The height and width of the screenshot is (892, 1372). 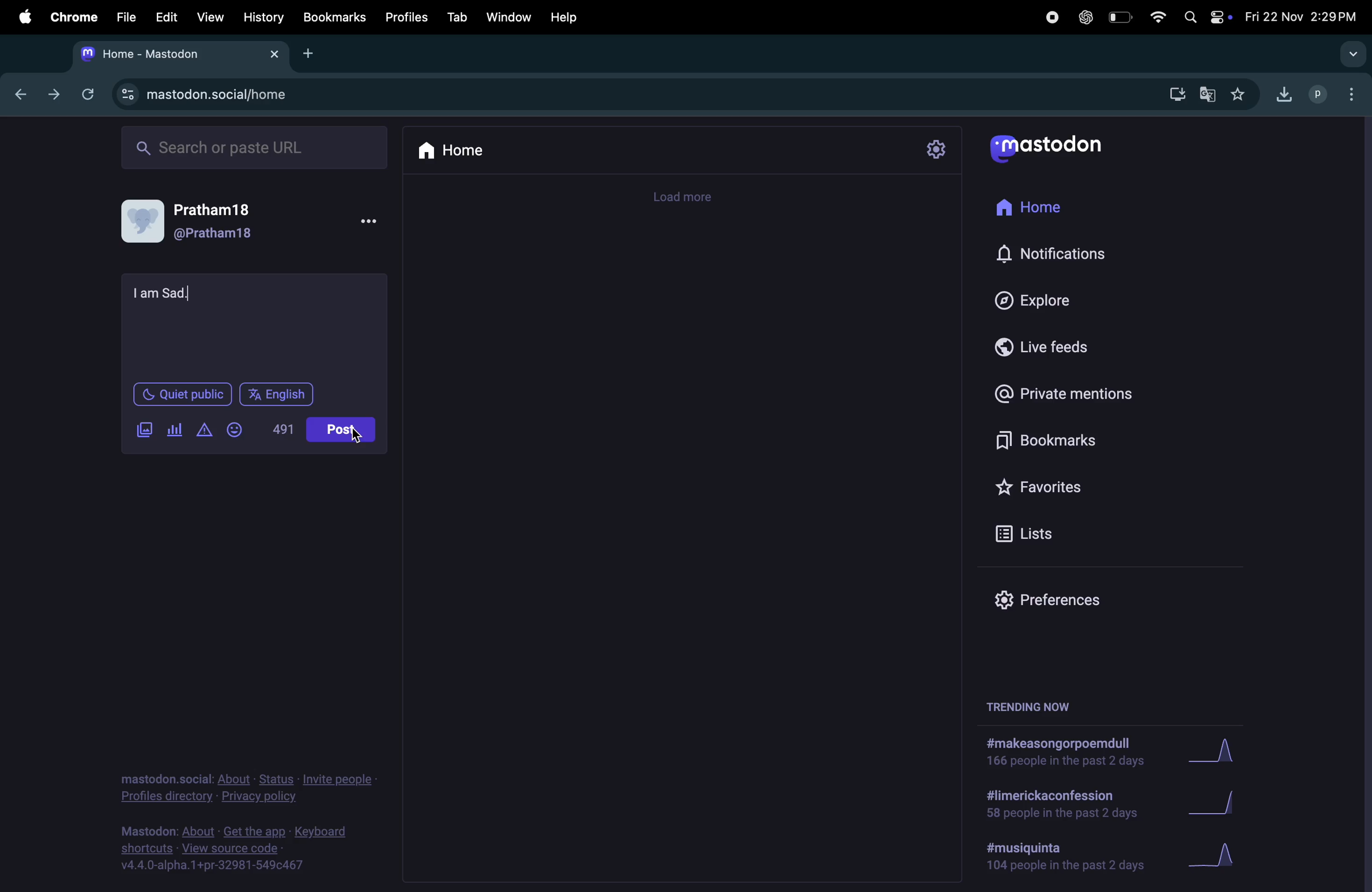 I want to click on wifi, so click(x=1155, y=17).